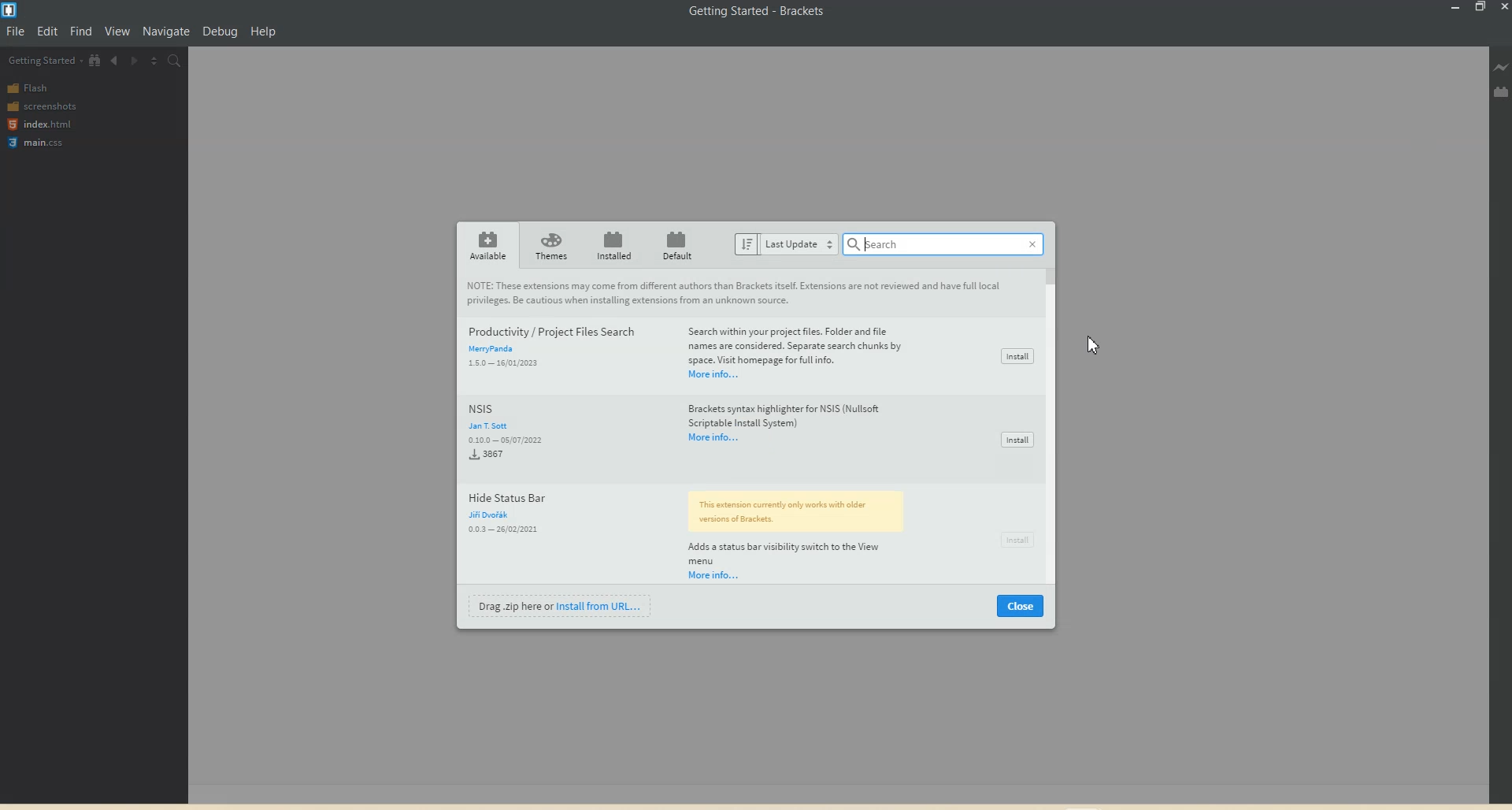  I want to click on Install, so click(1018, 355).